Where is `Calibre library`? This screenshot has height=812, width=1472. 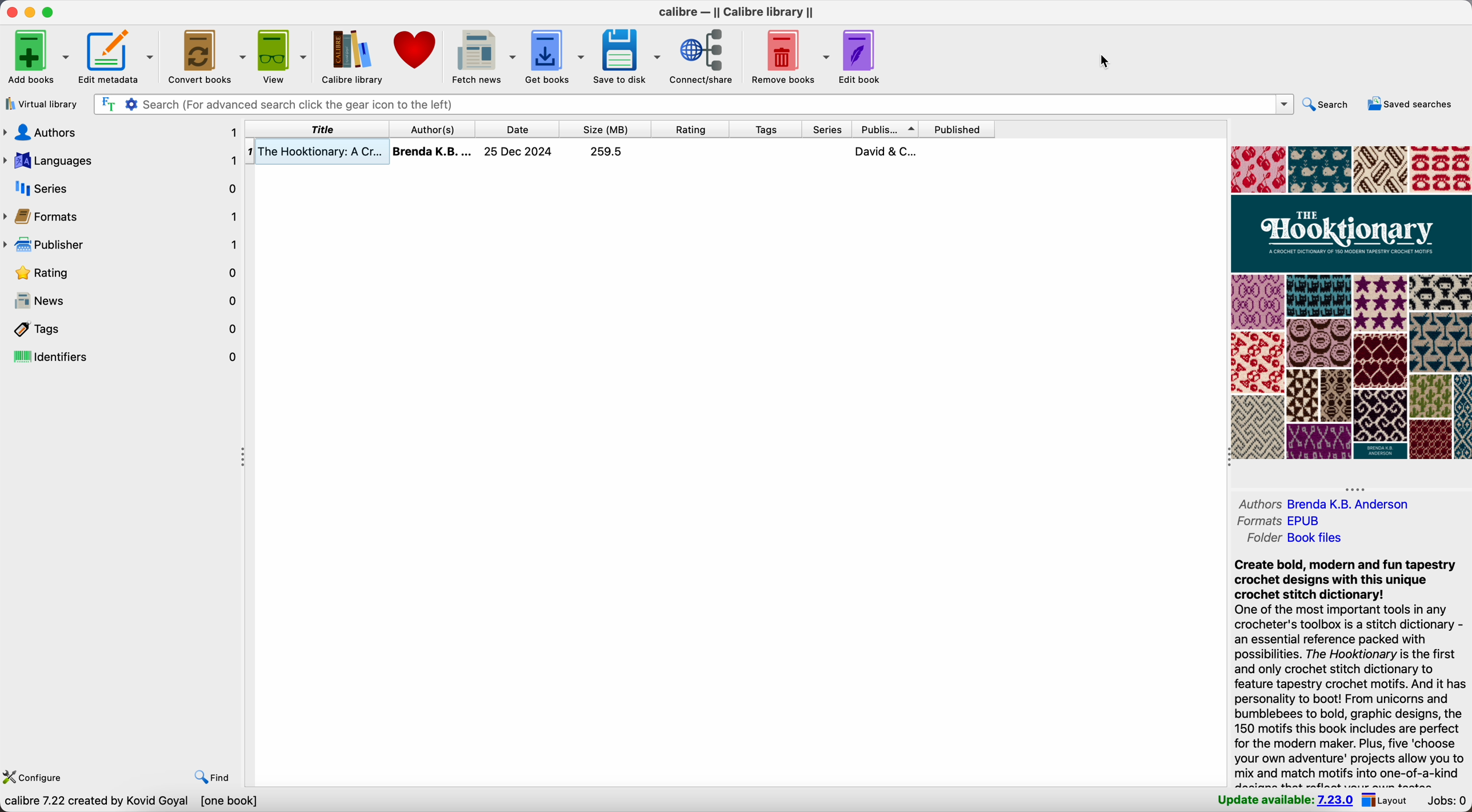
Calibre library is located at coordinates (351, 55).